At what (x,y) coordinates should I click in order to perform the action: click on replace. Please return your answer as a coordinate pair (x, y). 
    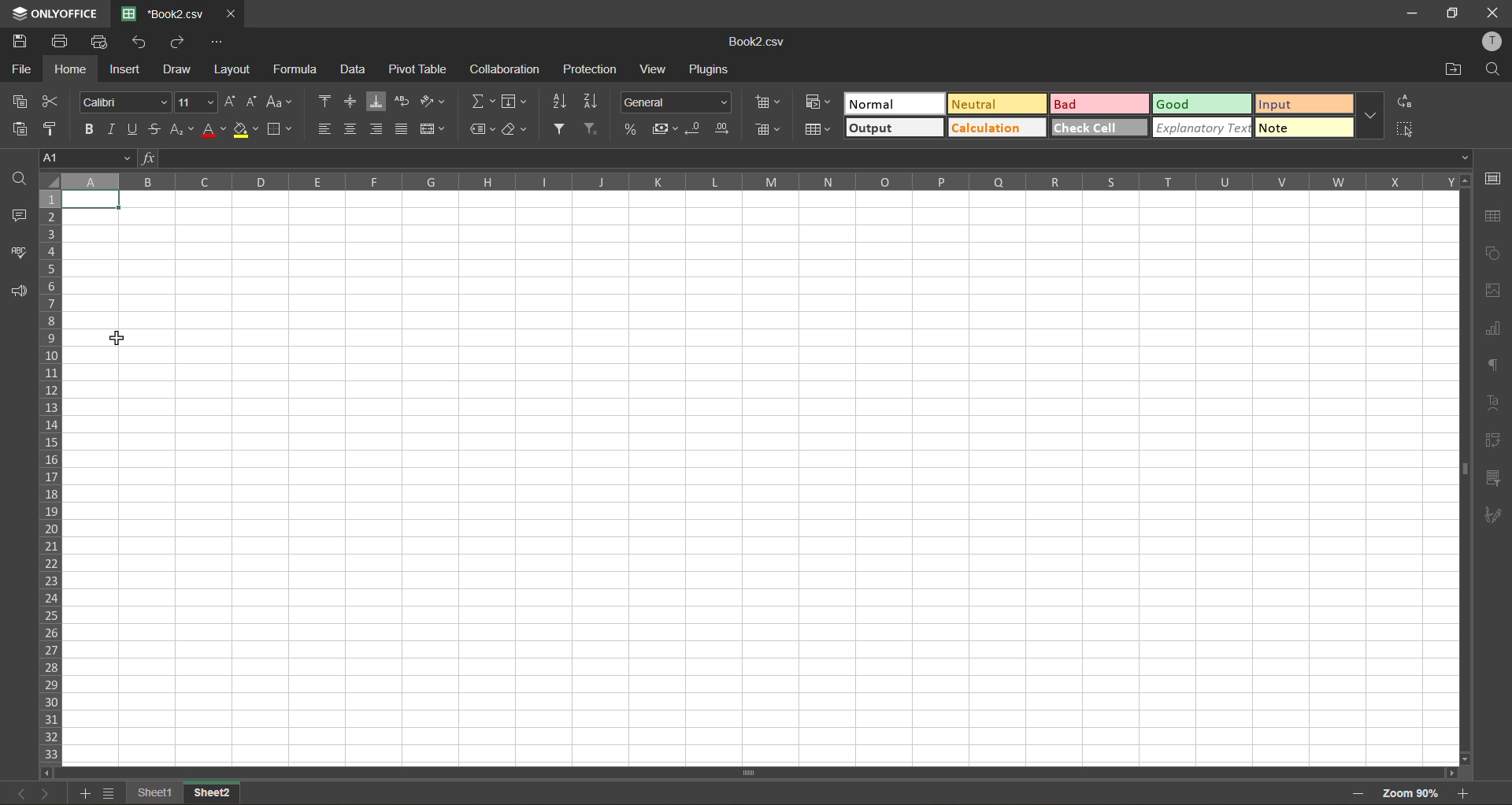
    Looking at the image, I should click on (1406, 102).